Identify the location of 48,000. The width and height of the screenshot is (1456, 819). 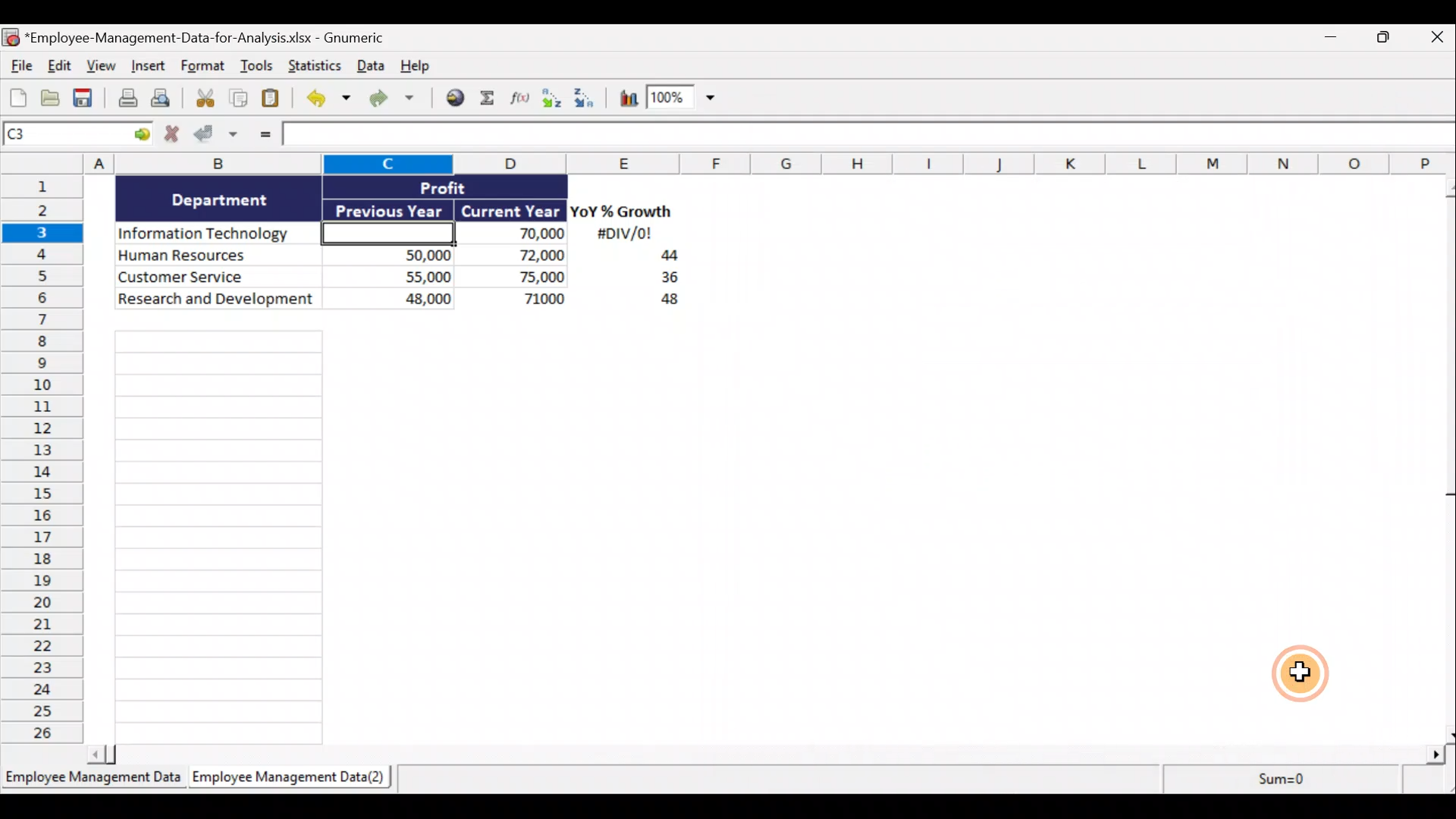
(397, 301).